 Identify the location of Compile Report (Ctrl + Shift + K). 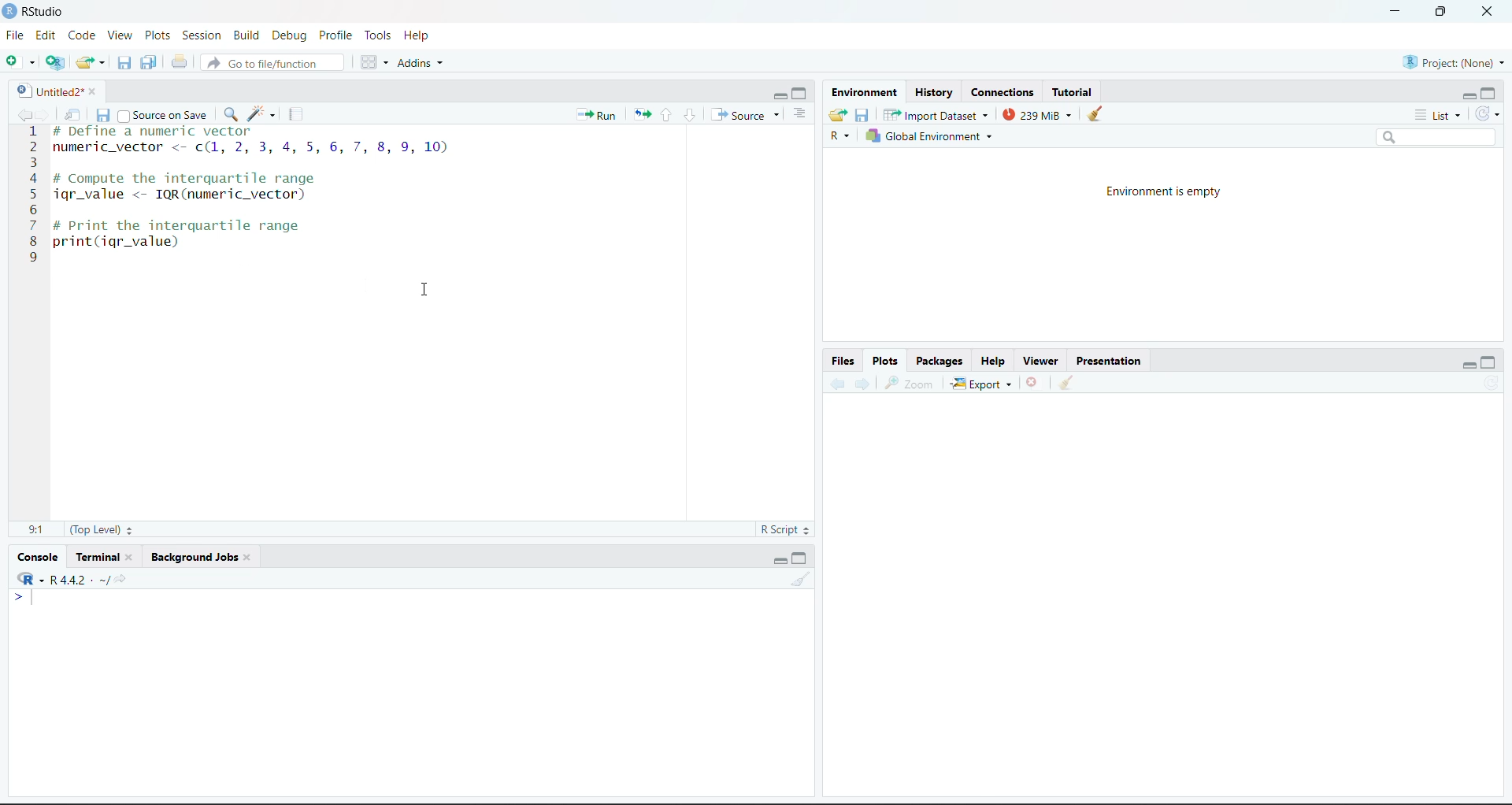
(296, 112).